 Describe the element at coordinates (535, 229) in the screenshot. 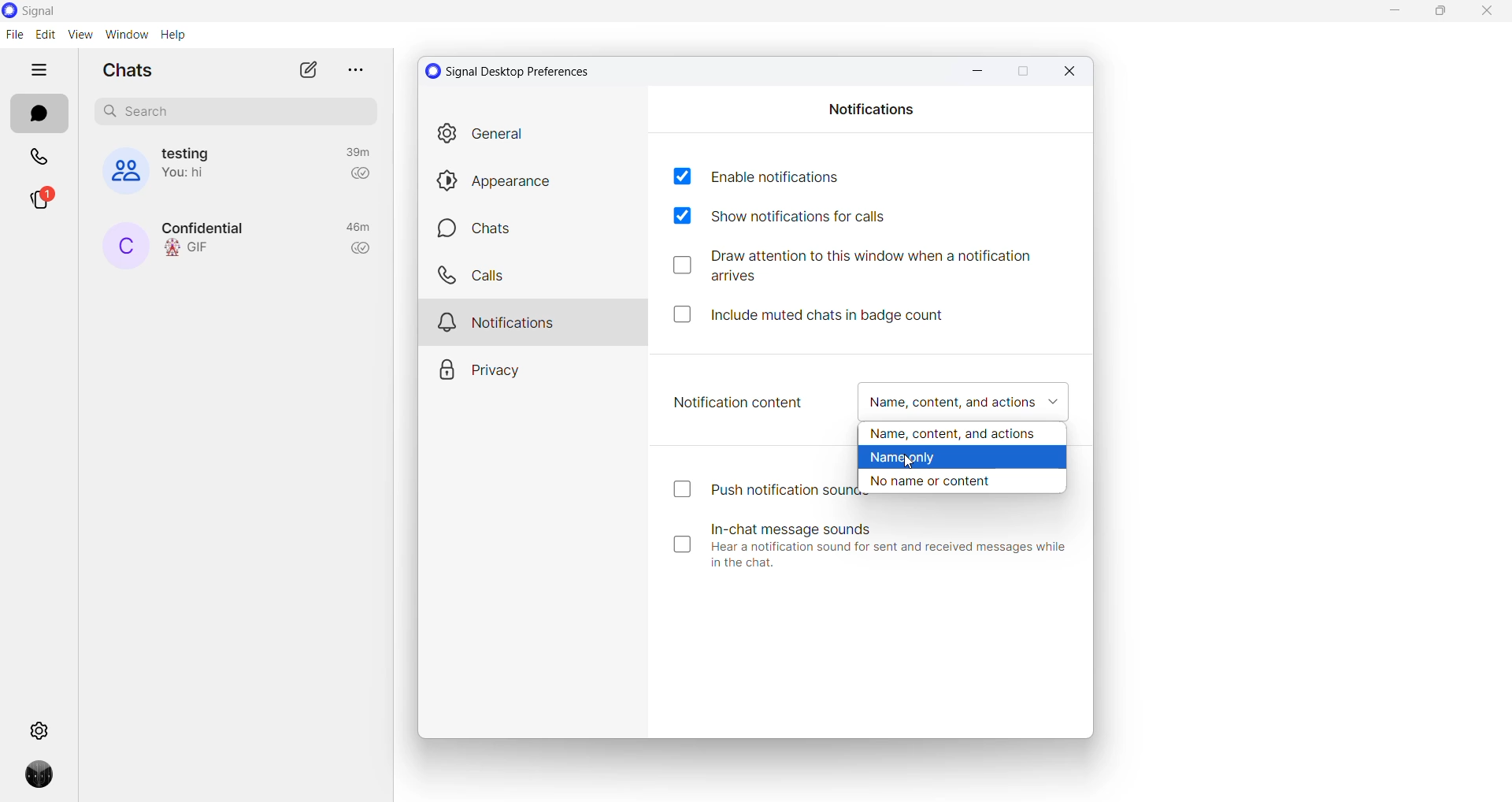

I see `chats` at that location.